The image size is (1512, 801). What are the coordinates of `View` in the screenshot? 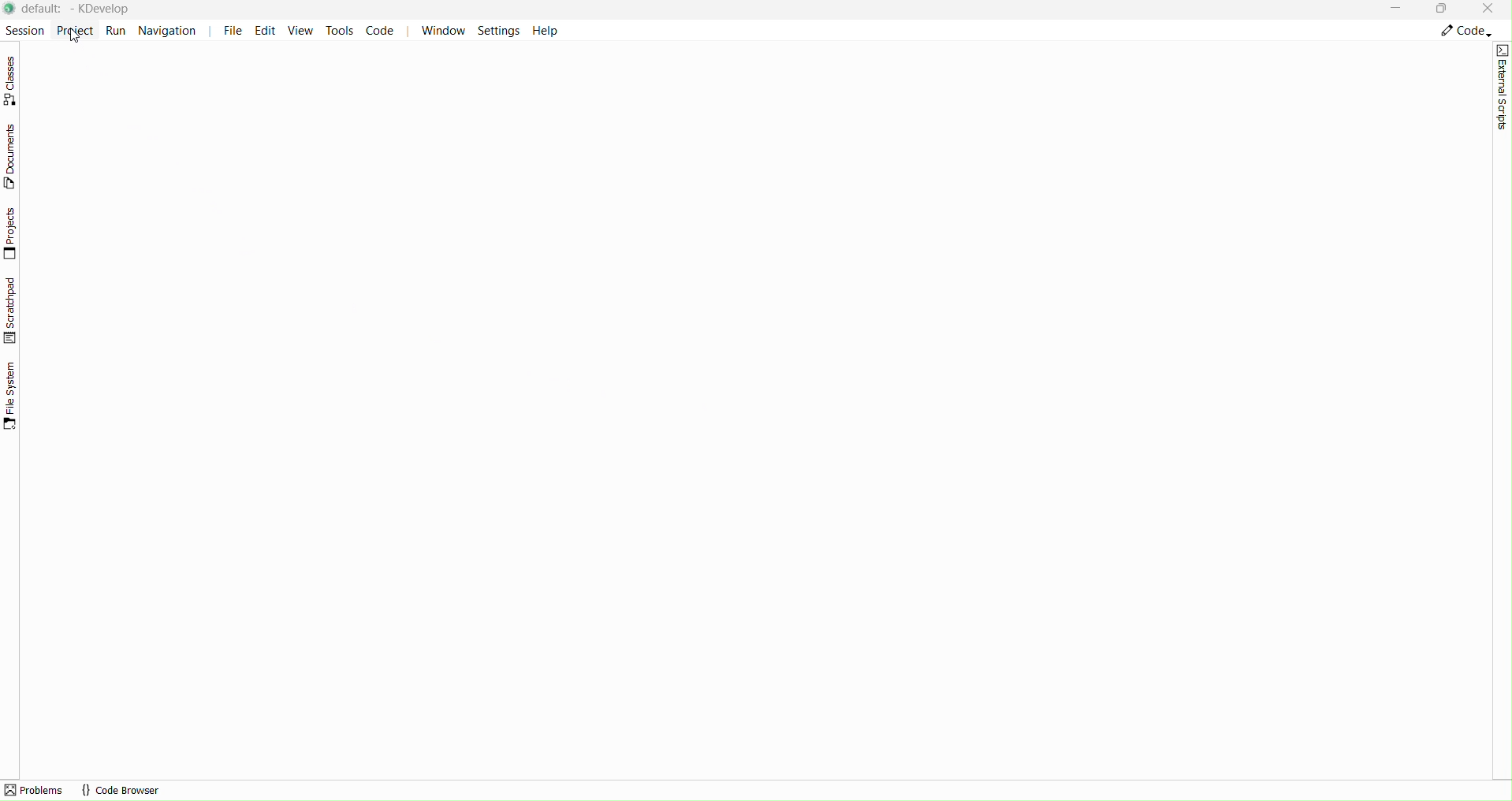 It's located at (304, 32).